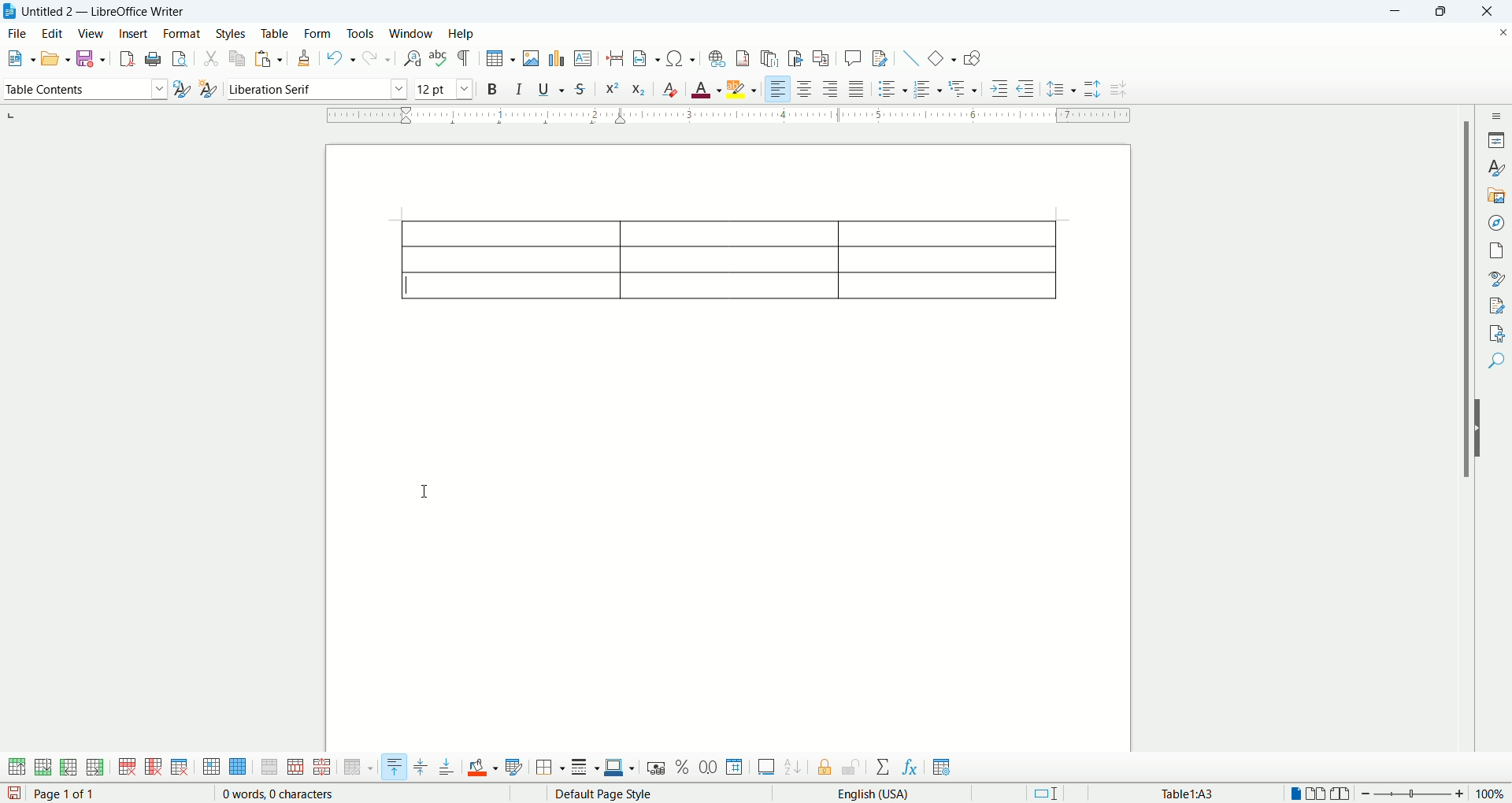 The height and width of the screenshot is (803, 1512). Describe the element at coordinates (413, 58) in the screenshot. I see `find and replace` at that location.